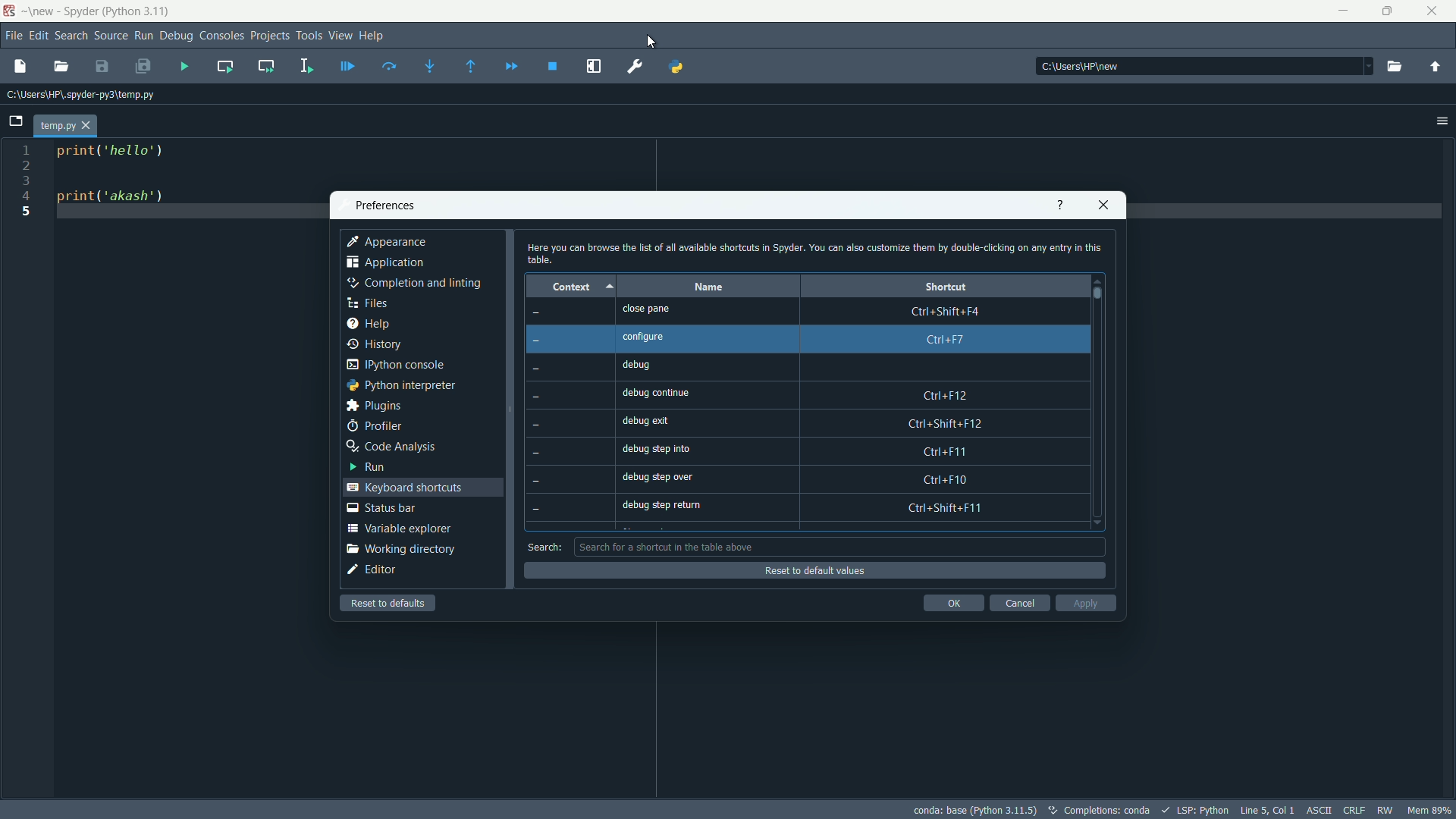 The width and height of the screenshot is (1456, 819). What do you see at coordinates (1099, 293) in the screenshot?
I see `scroll bar` at bounding box center [1099, 293].